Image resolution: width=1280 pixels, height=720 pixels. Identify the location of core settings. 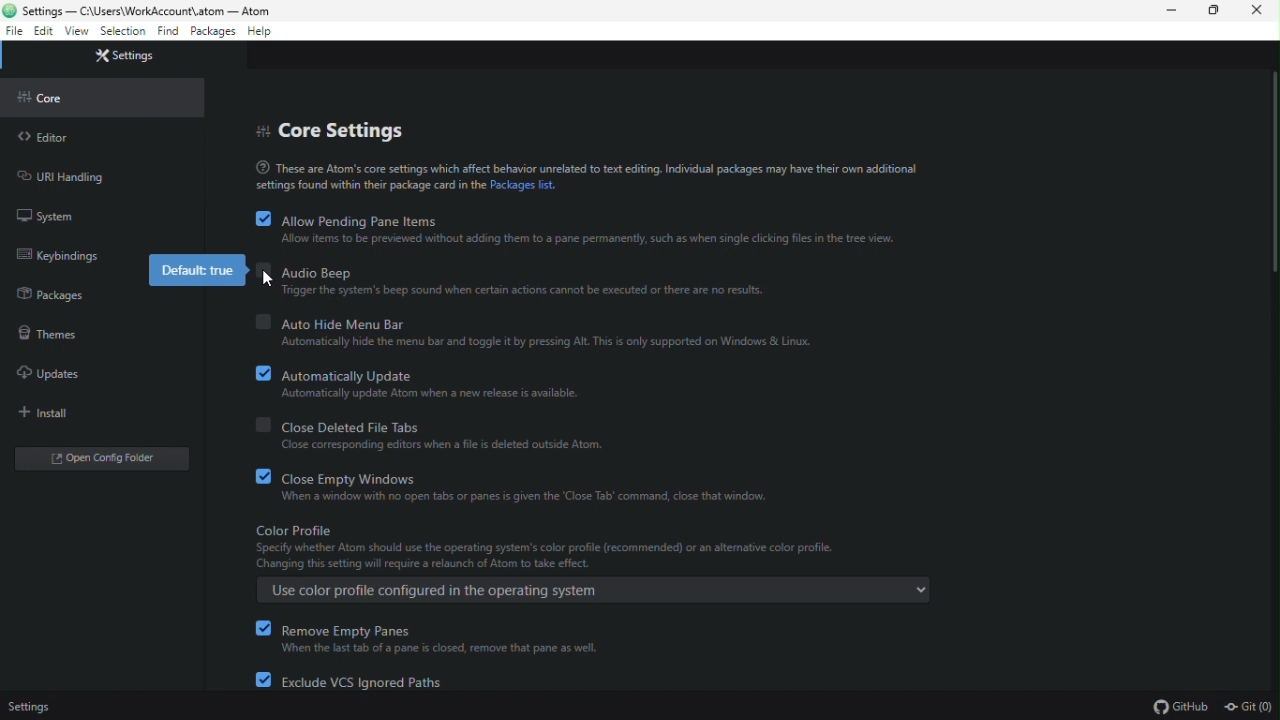
(327, 131).